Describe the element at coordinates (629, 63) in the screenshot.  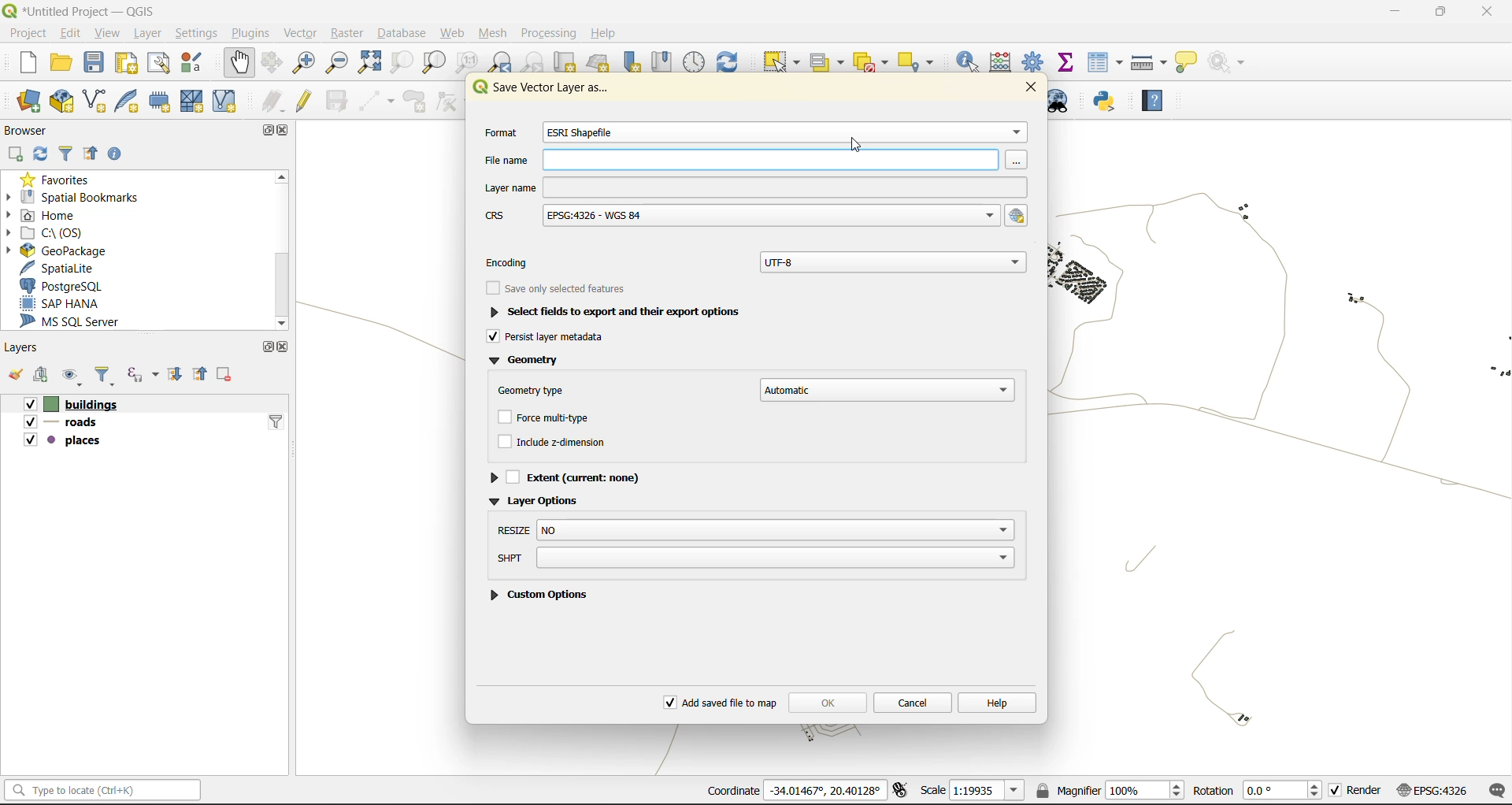
I see `new spatial bookmarks` at that location.